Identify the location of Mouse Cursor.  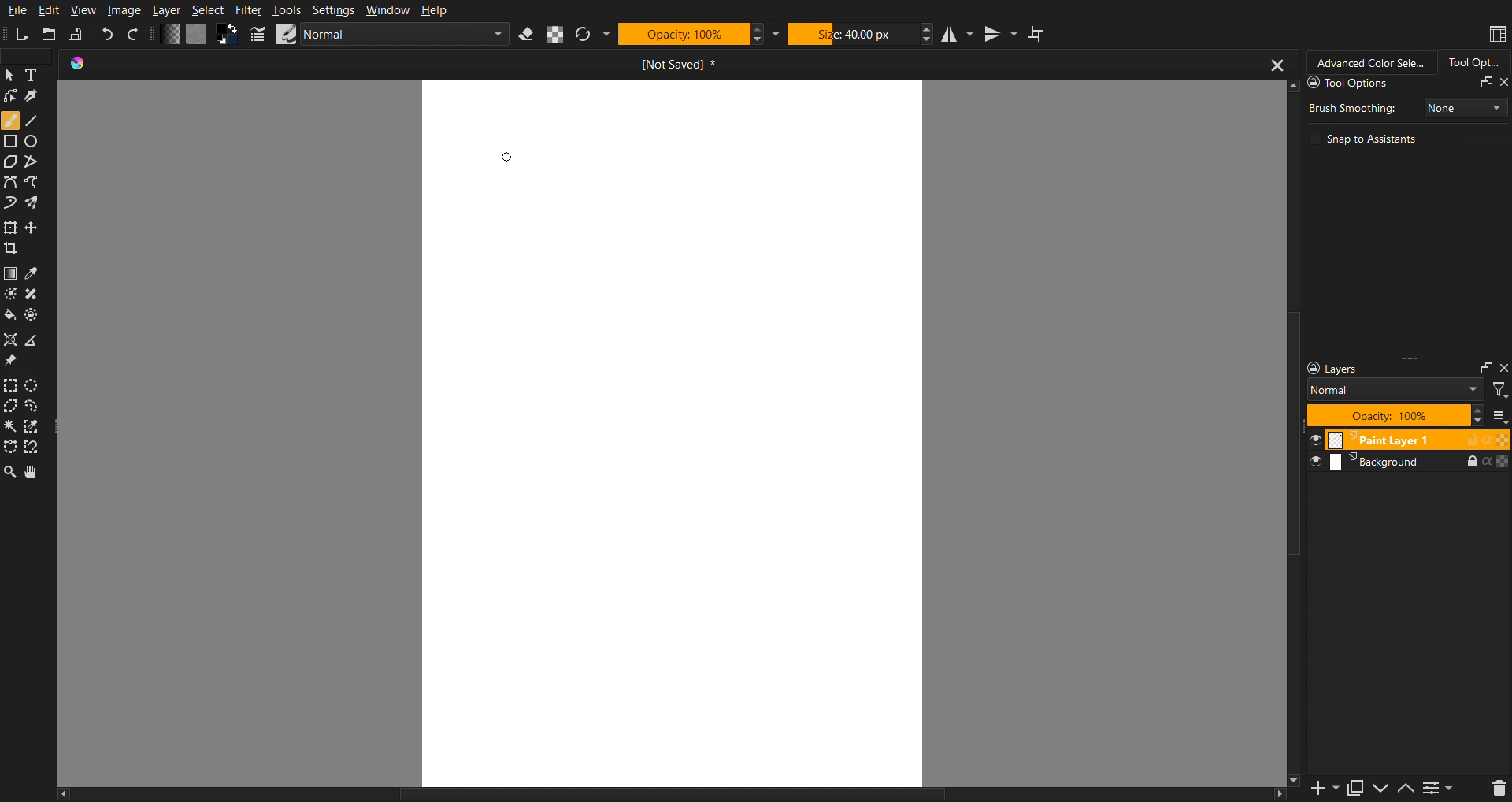
(507, 158).